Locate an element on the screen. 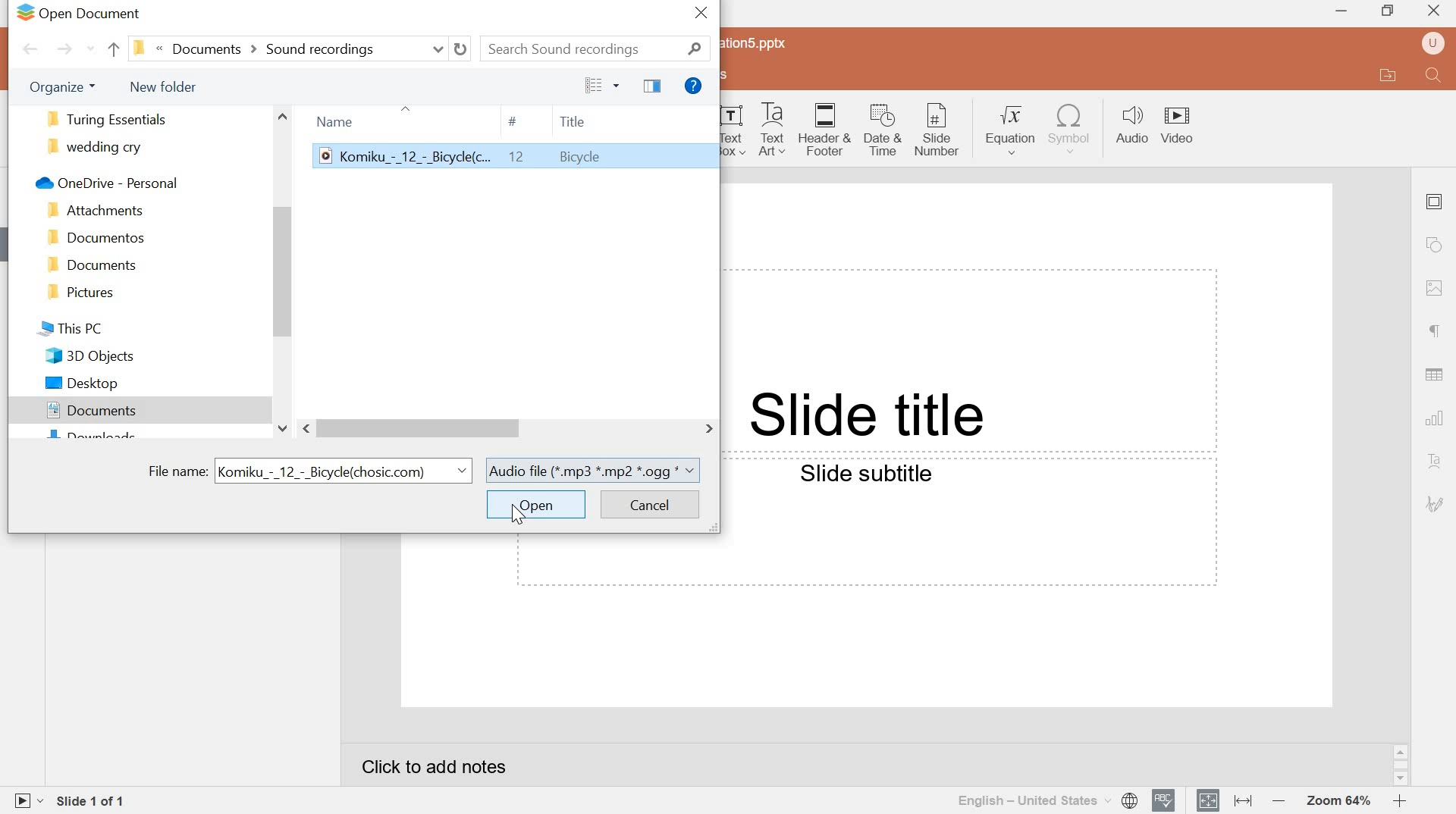 This screenshot has height=814, width=1456. document folder is located at coordinates (89, 265).